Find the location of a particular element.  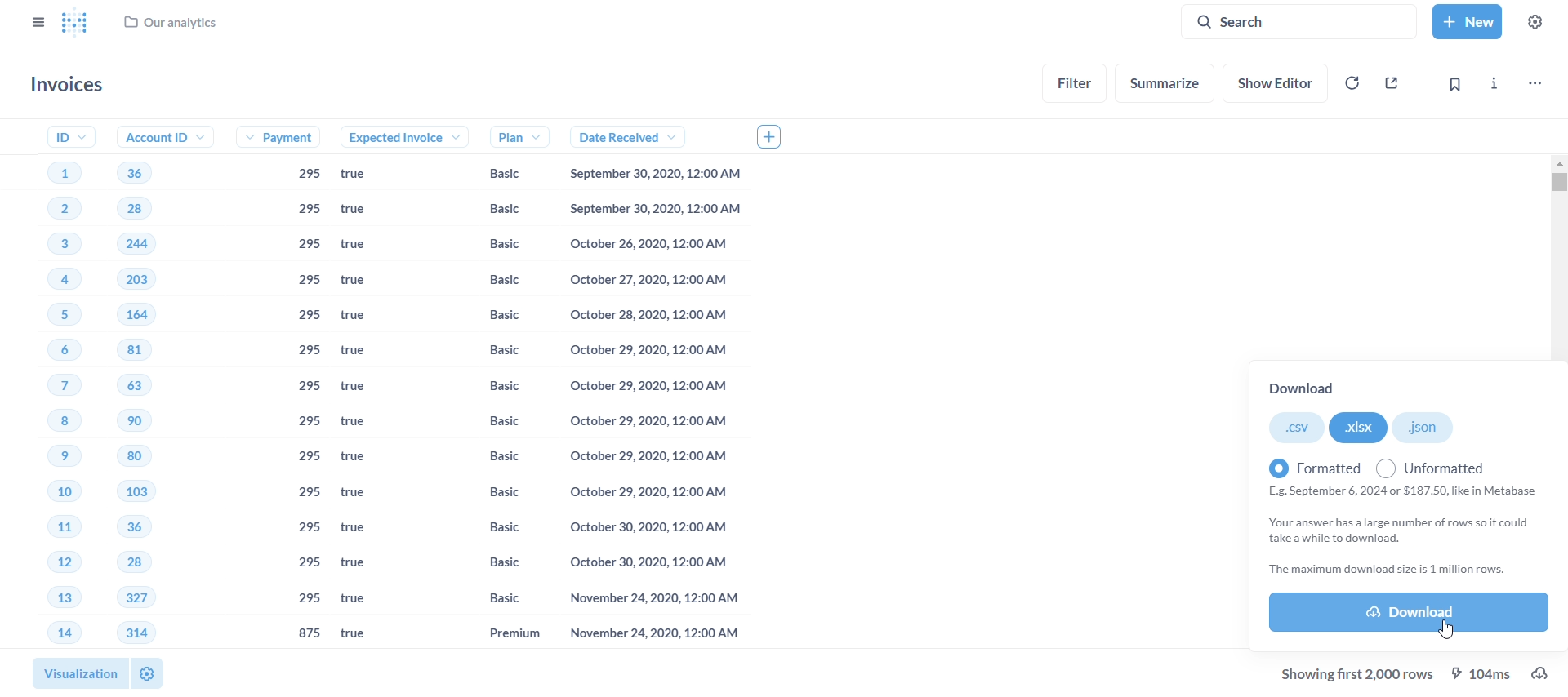

28 is located at coordinates (134, 209).